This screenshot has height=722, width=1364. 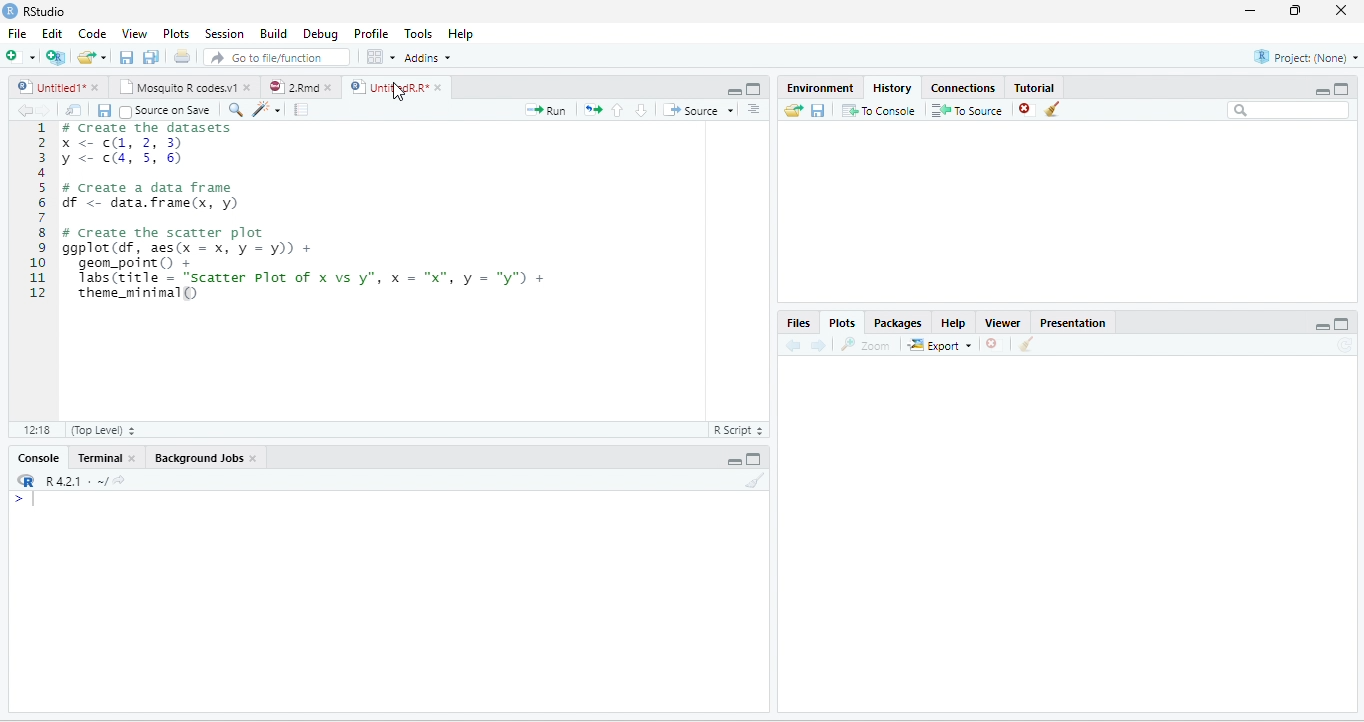 I want to click on Addins, so click(x=426, y=57).